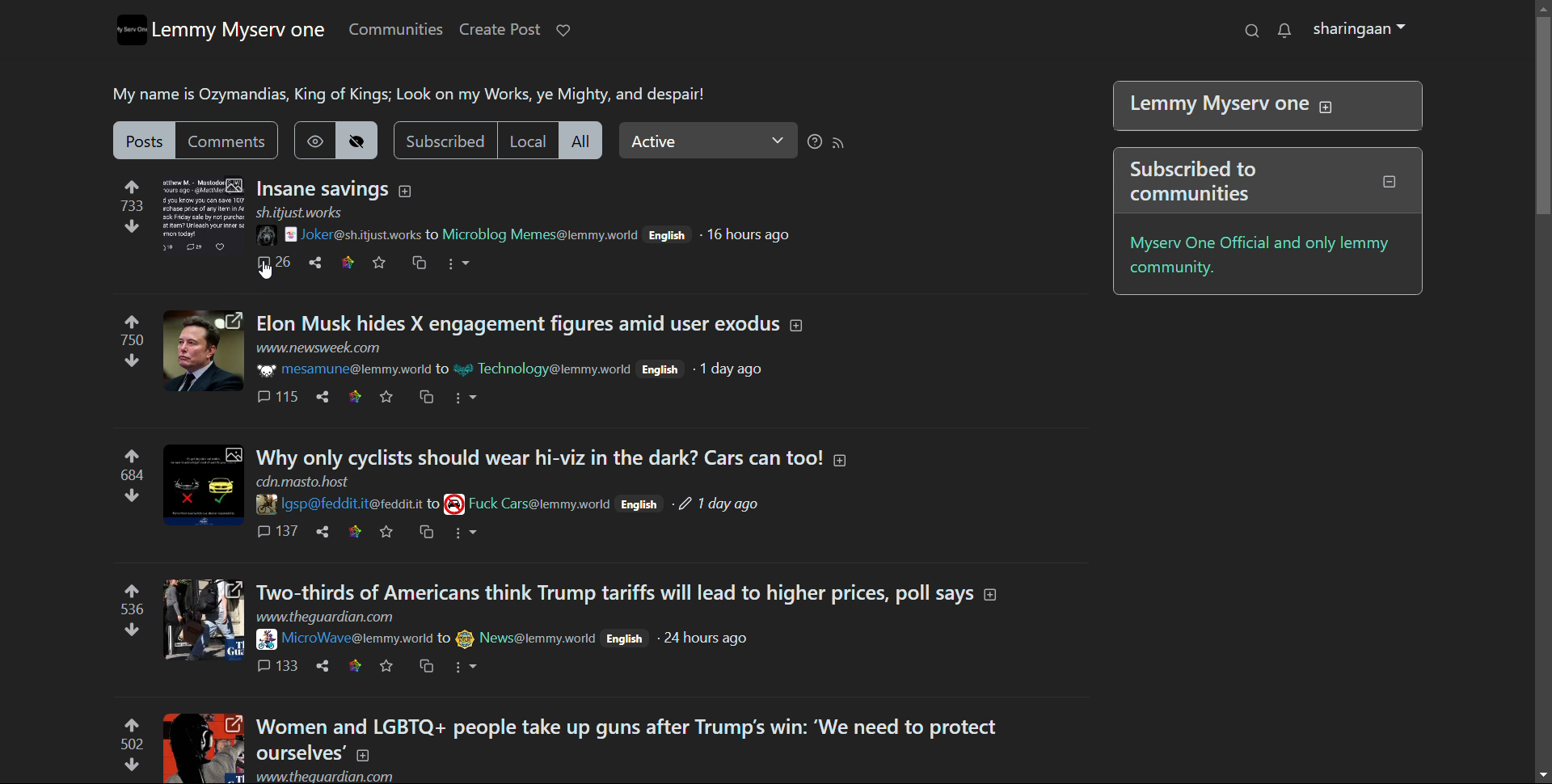 The image size is (1552, 784). Describe the element at coordinates (127, 364) in the screenshot. I see `downvotes` at that location.